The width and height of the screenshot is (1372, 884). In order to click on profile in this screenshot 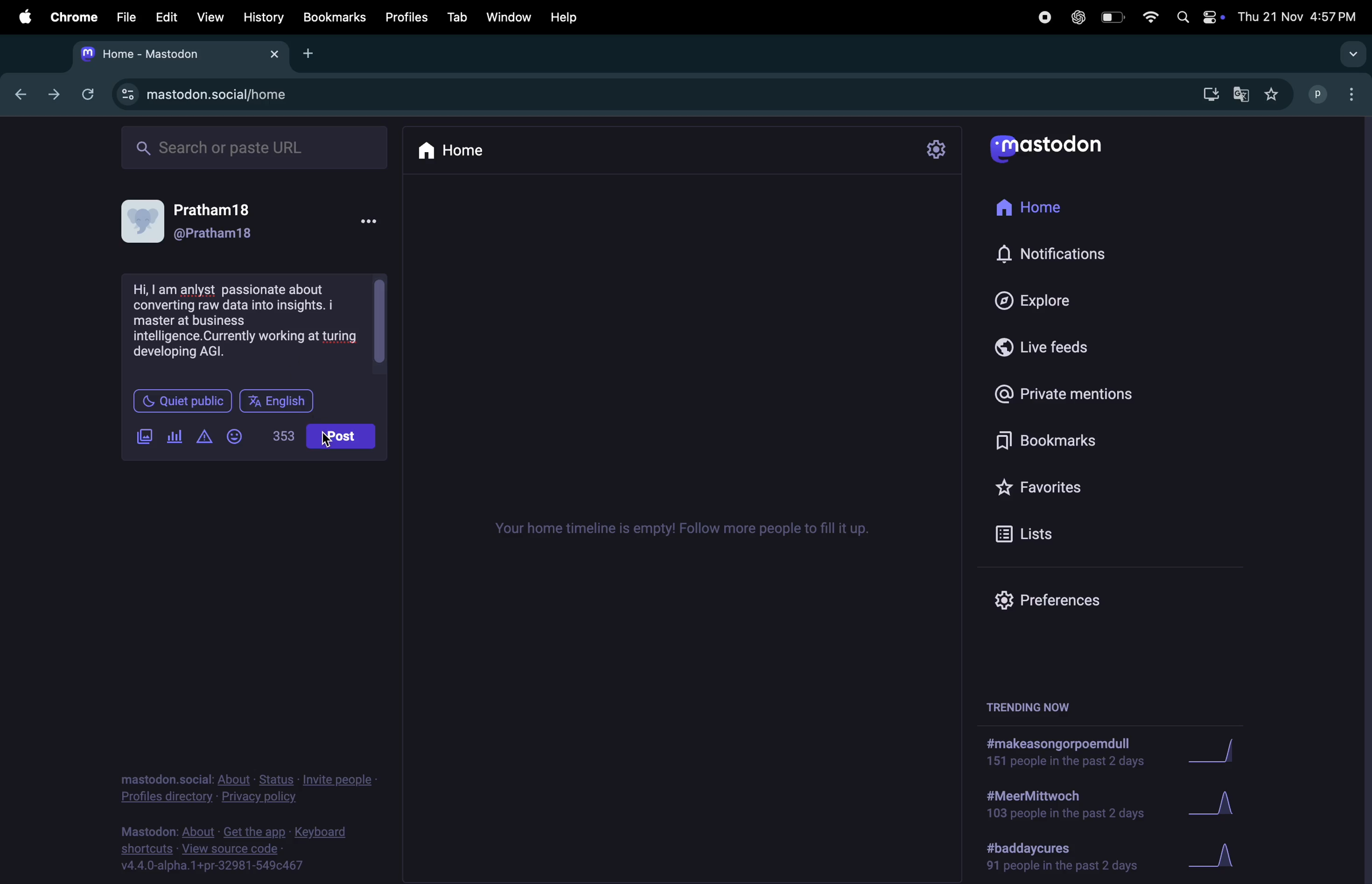, I will do `click(1313, 93)`.